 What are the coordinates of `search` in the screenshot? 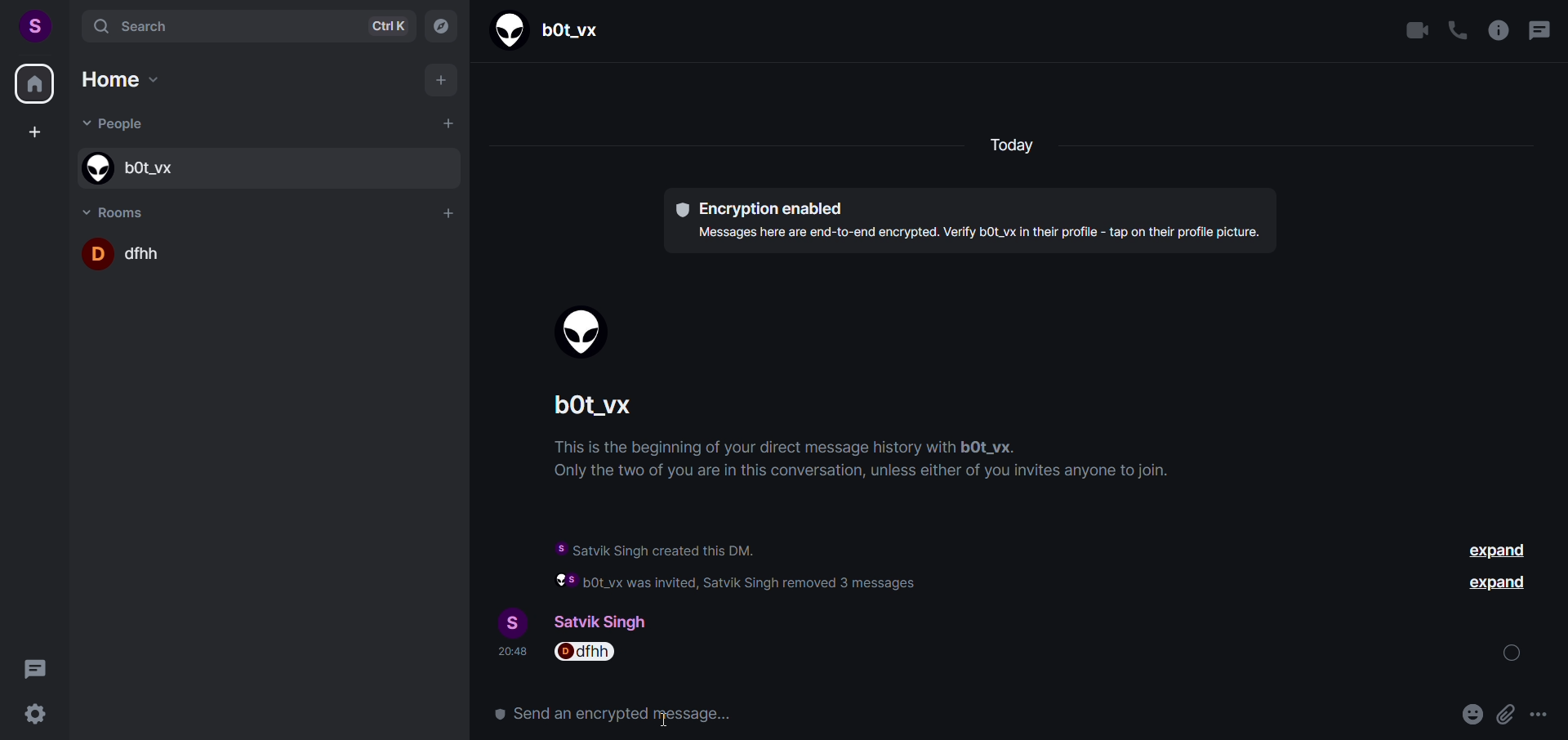 It's located at (241, 25).